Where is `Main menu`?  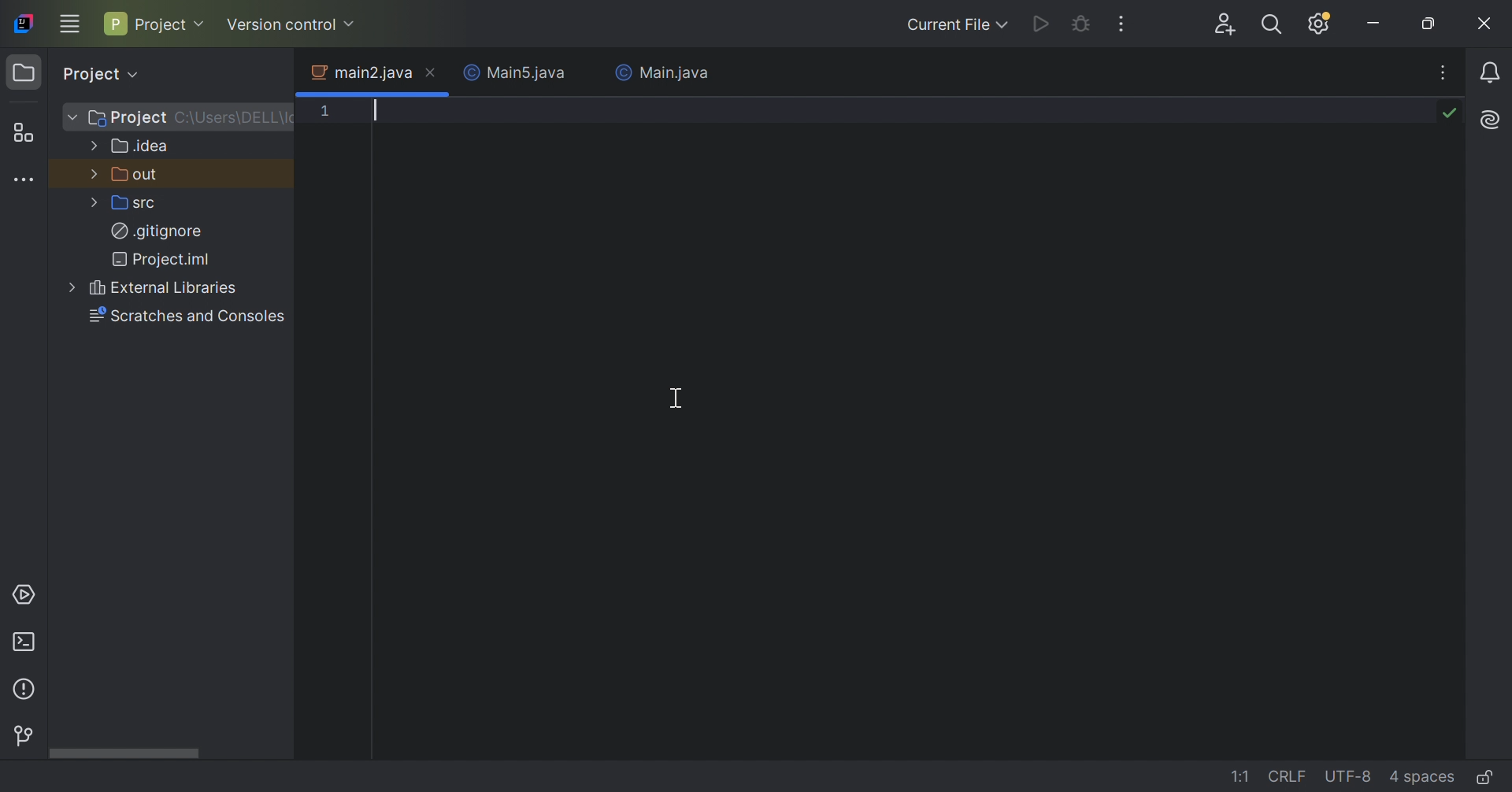
Main menu is located at coordinates (72, 24).